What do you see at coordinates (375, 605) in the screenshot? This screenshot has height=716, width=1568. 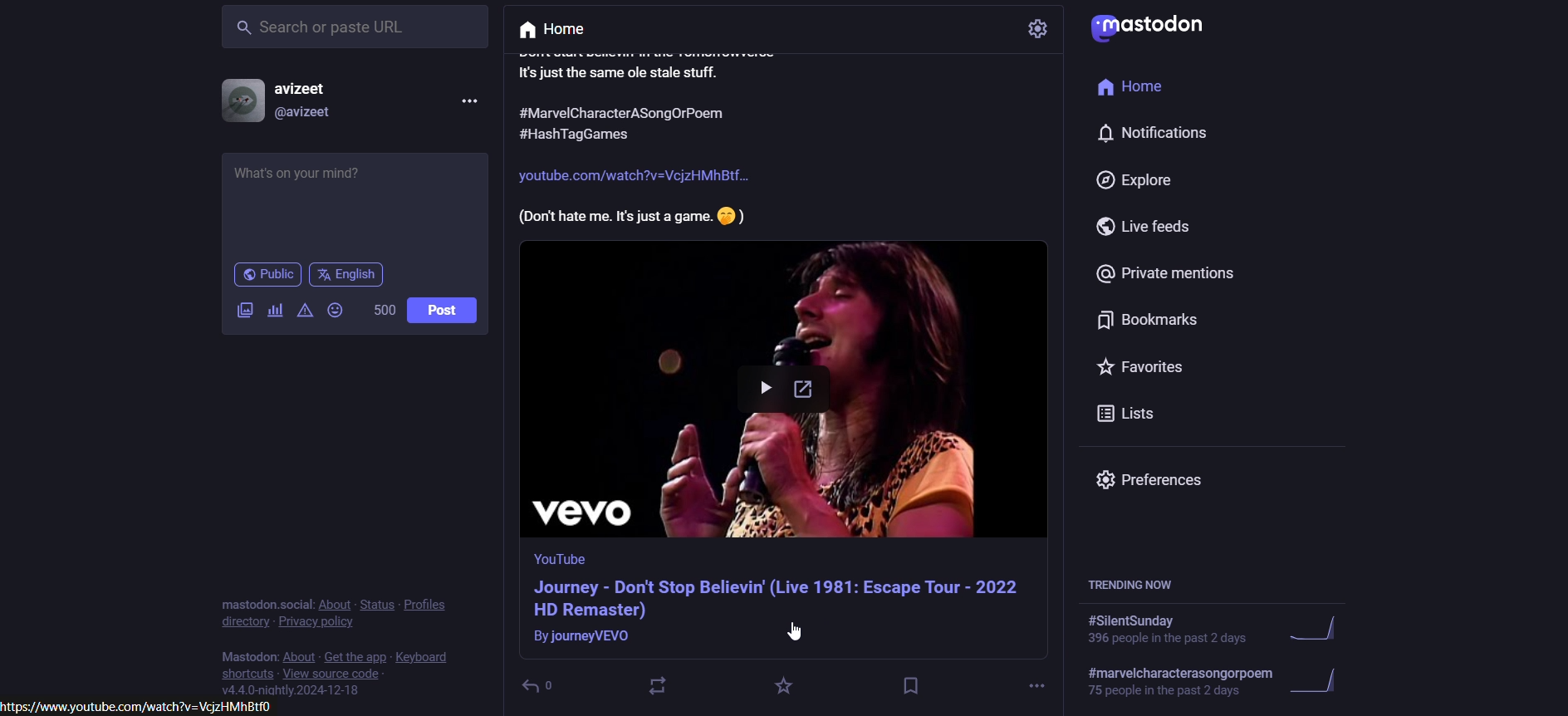 I see `status` at bounding box center [375, 605].